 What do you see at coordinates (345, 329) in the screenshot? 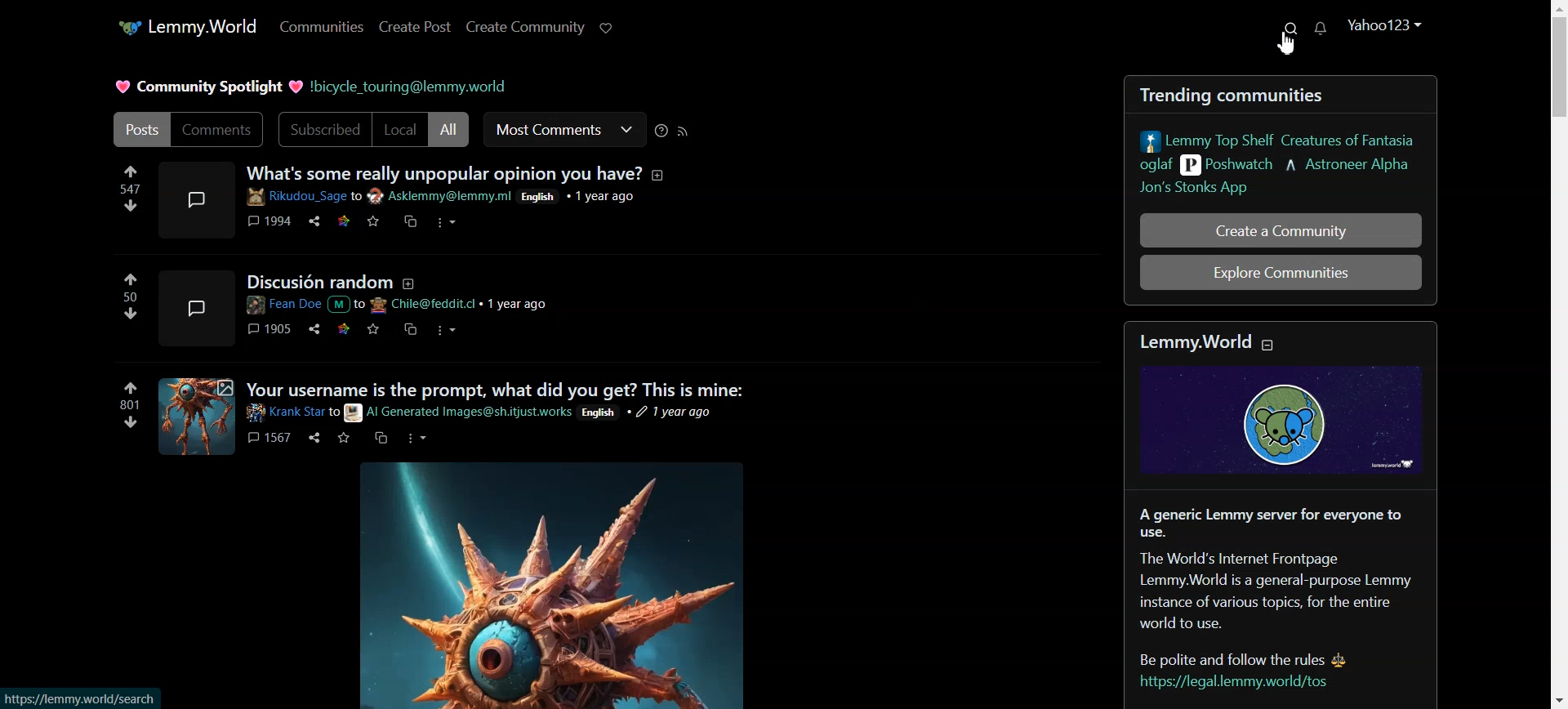
I see `starred` at bounding box center [345, 329].